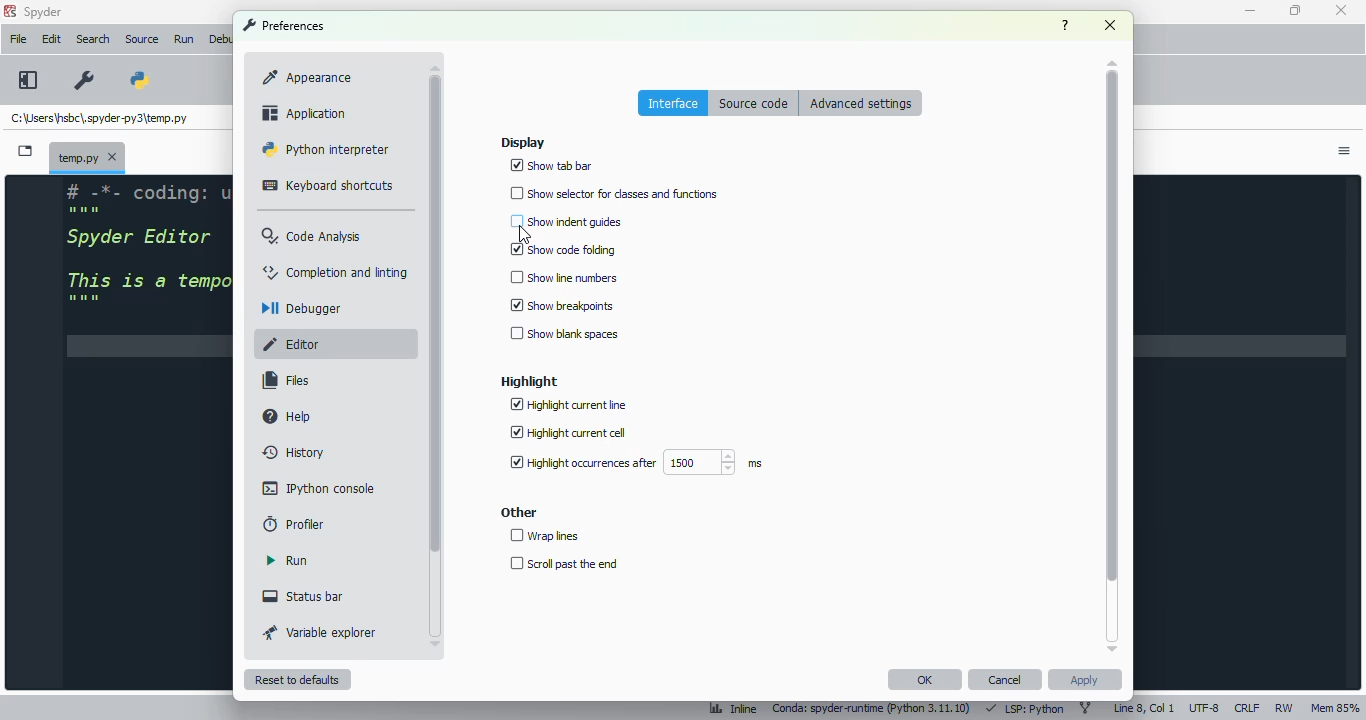 The image size is (1366, 720). Describe the element at coordinates (1006, 680) in the screenshot. I see `cancel` at that location.